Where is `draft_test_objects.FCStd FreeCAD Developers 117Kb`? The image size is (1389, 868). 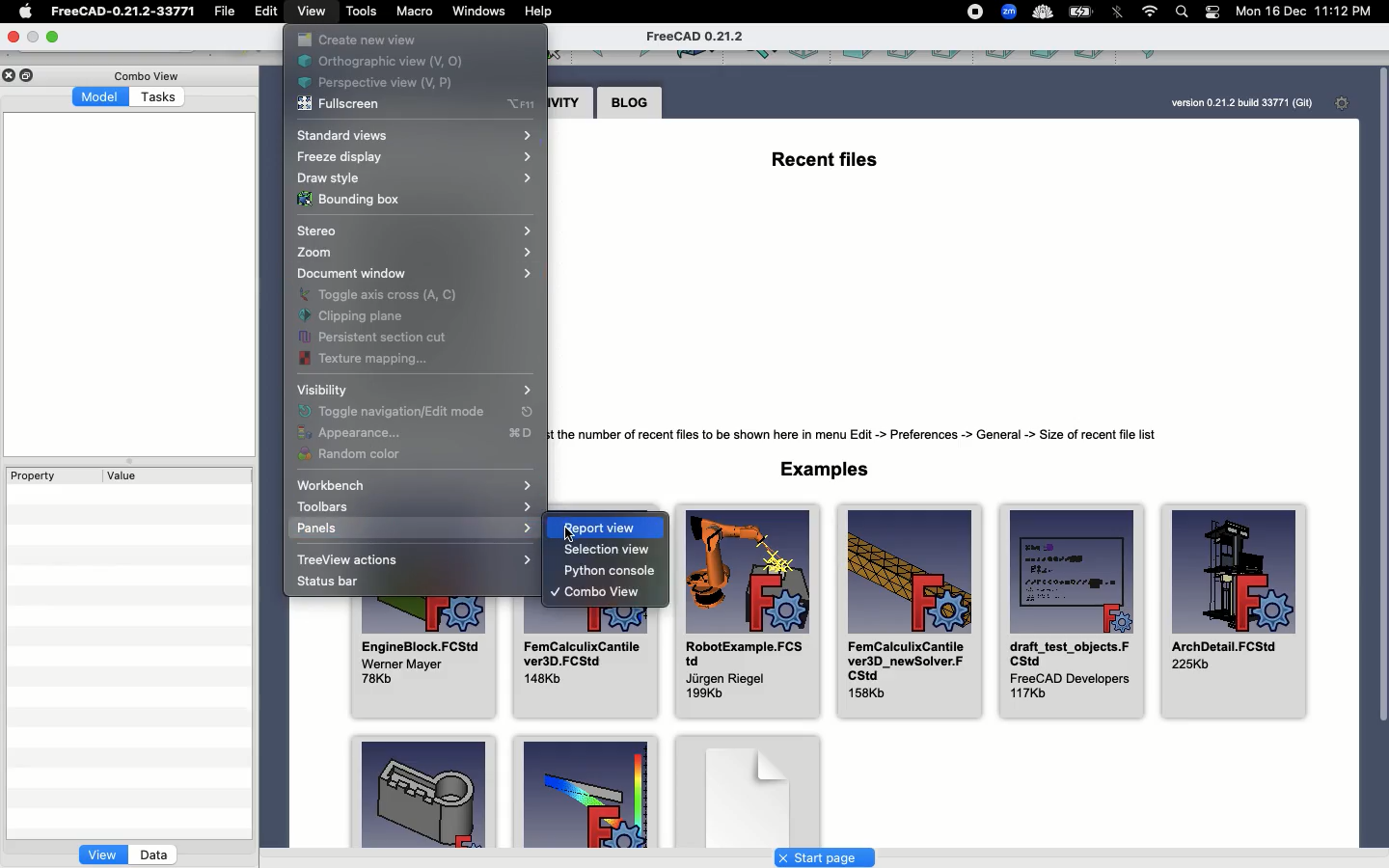 draft_test_objects.FCStd FreeCAD Developers 117Kb is located at coordinates (1070, 614).